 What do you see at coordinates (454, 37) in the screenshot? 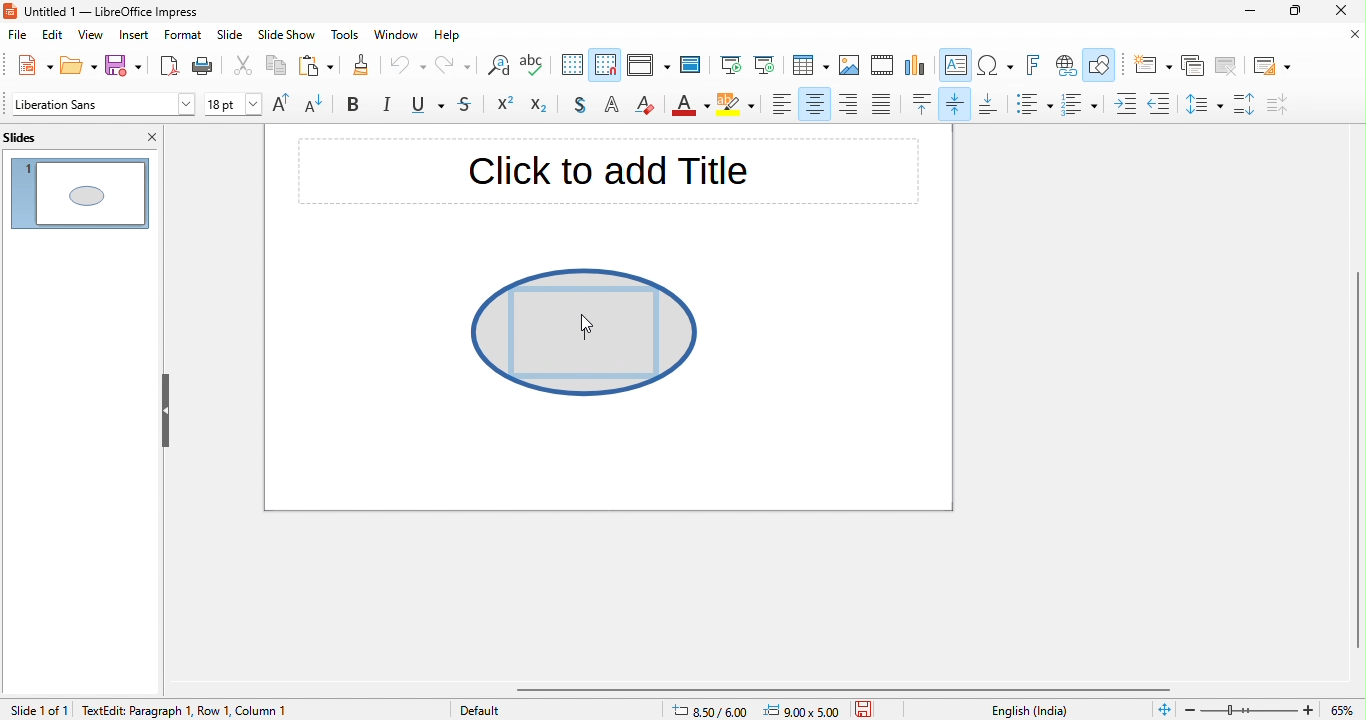
I see `help` at bounding box center [454, 37].